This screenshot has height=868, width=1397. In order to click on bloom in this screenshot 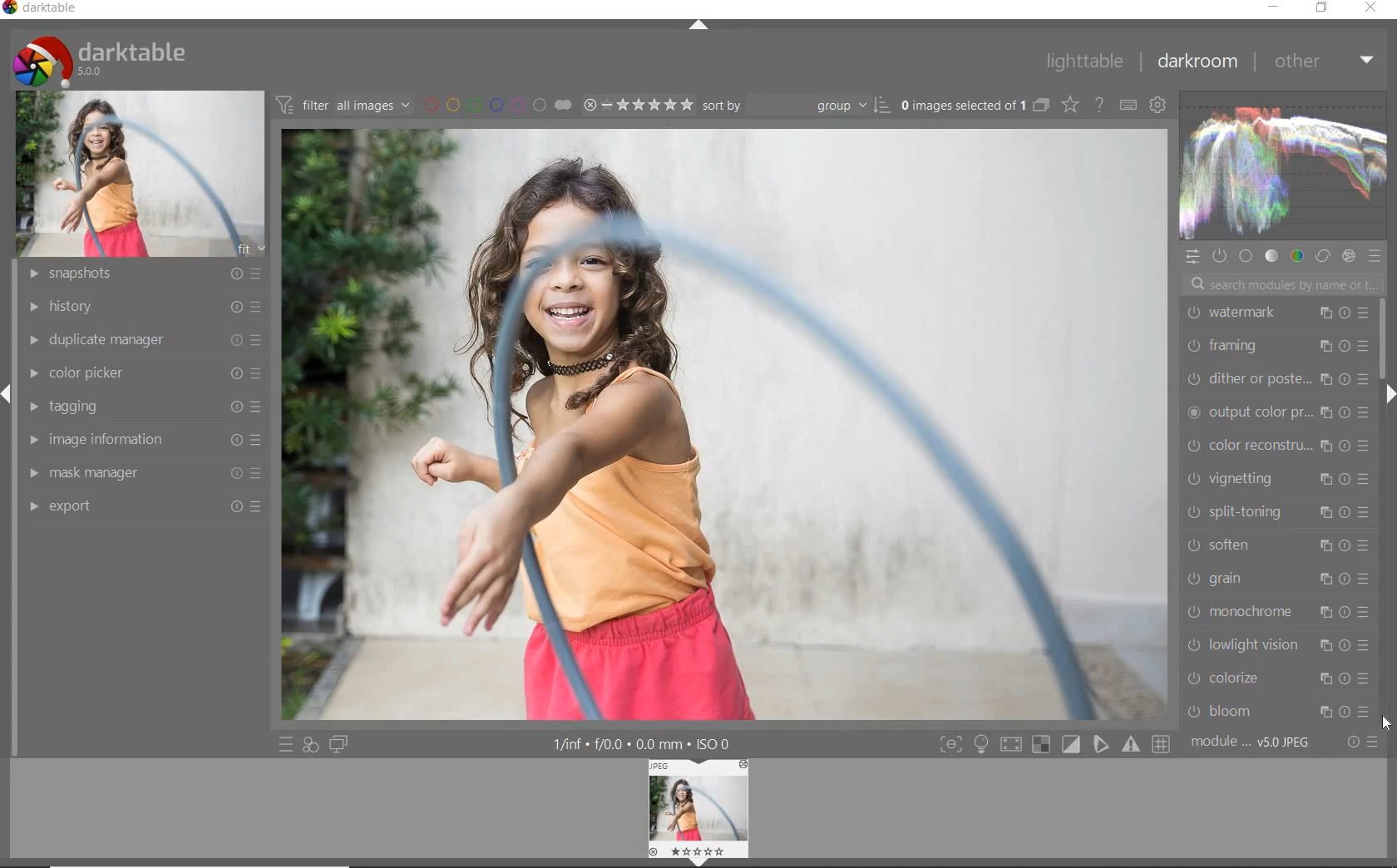, I will do `click(1276, 713)`.